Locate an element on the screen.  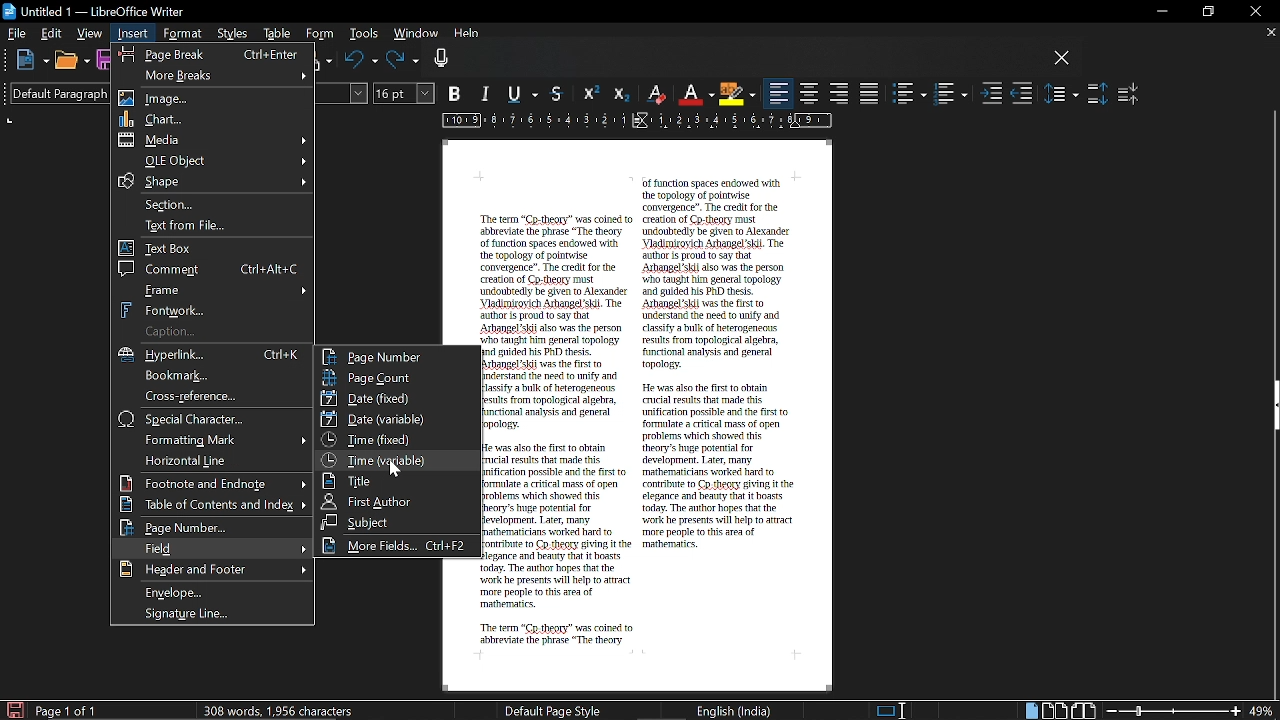
Text box is located at coordinates (214, 248).